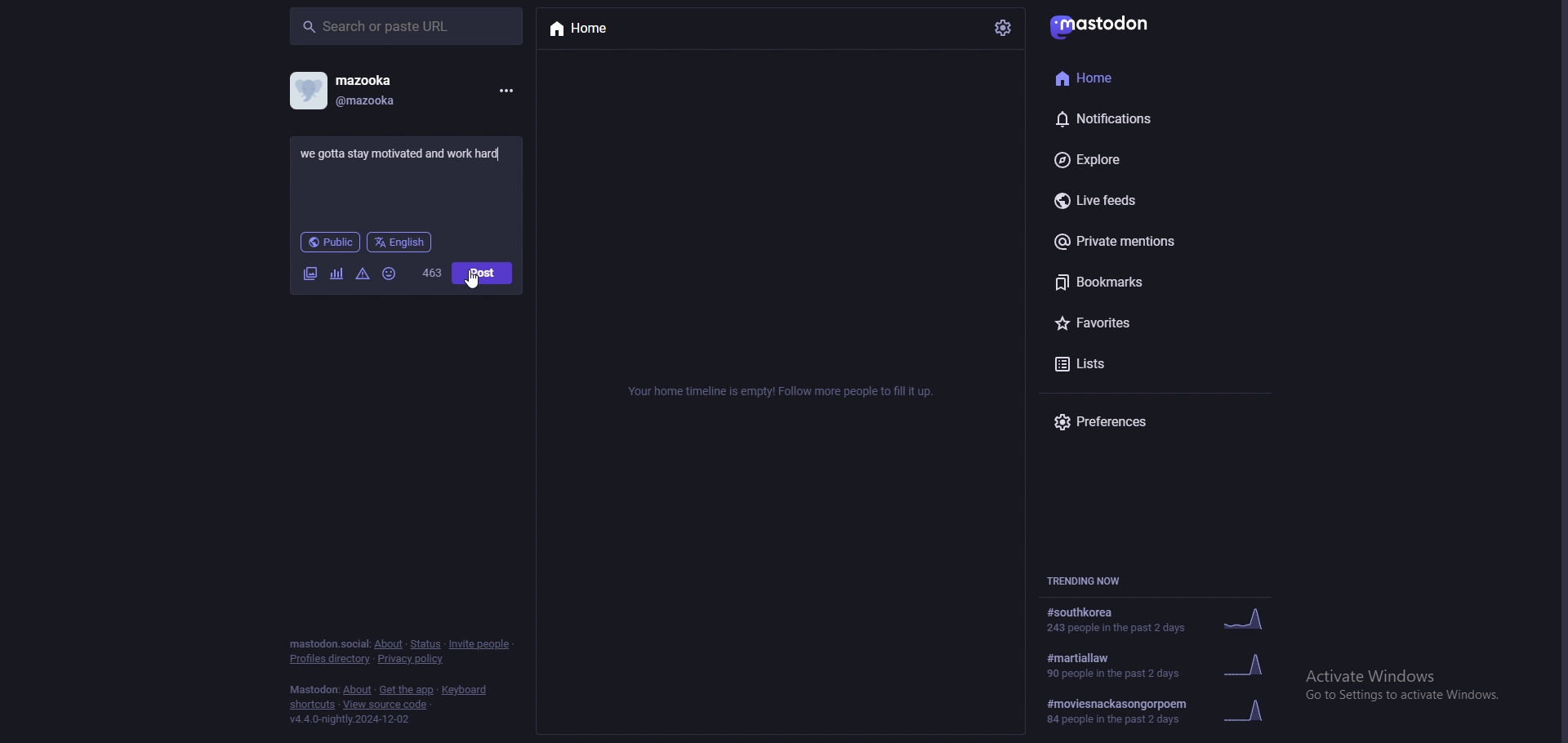 The height and width of the screenshot is (743, 1568). What do you see at coordinates (331, 659) in the screenshot?
I see `profiles directory` at bounding box center [331, 659].